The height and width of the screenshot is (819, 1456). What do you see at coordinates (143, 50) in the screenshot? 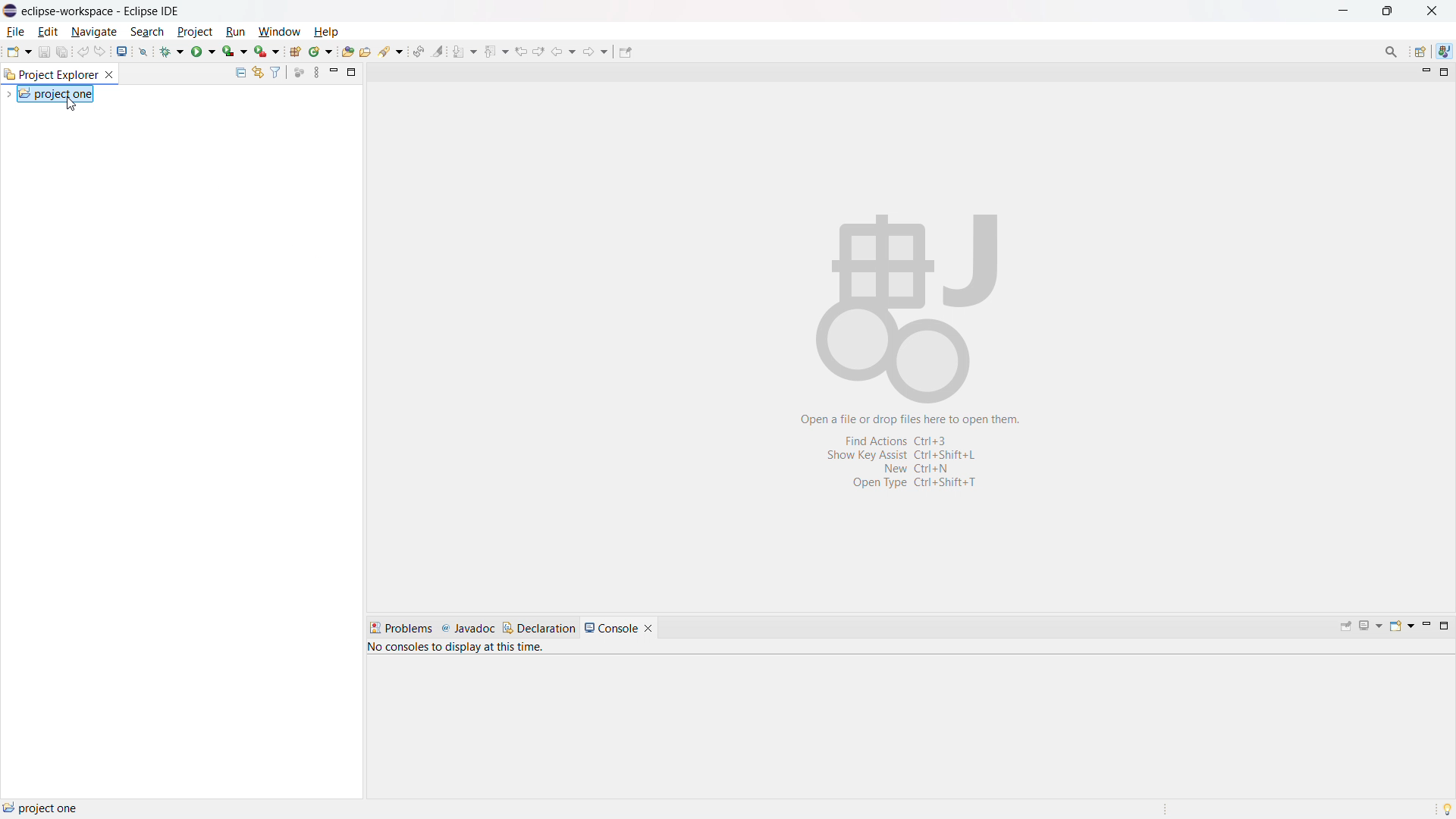
I see `skip all breakpoint` at bounding box center [143, 50].